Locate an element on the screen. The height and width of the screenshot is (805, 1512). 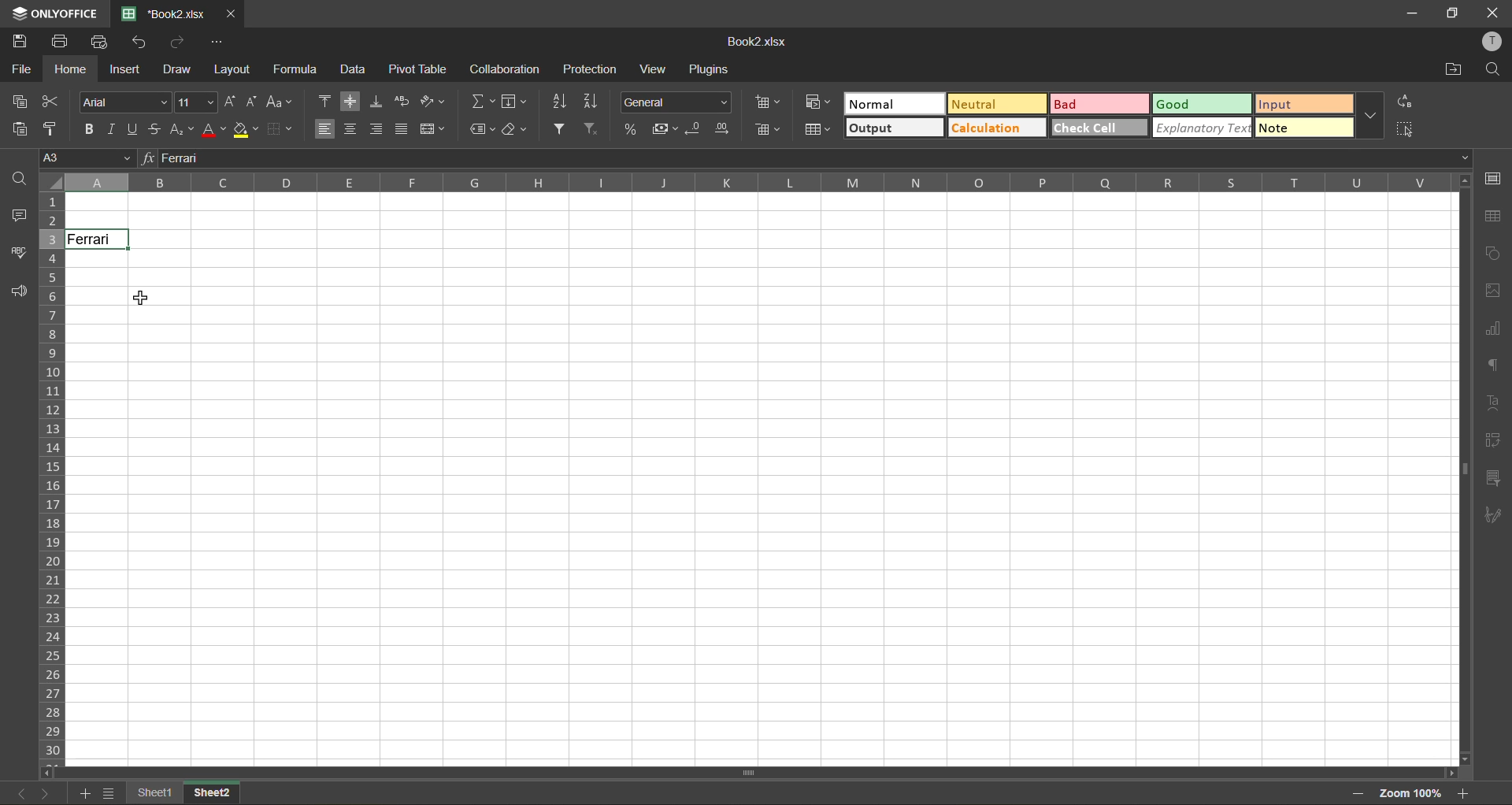
number format is located at coordinates (675, 101).